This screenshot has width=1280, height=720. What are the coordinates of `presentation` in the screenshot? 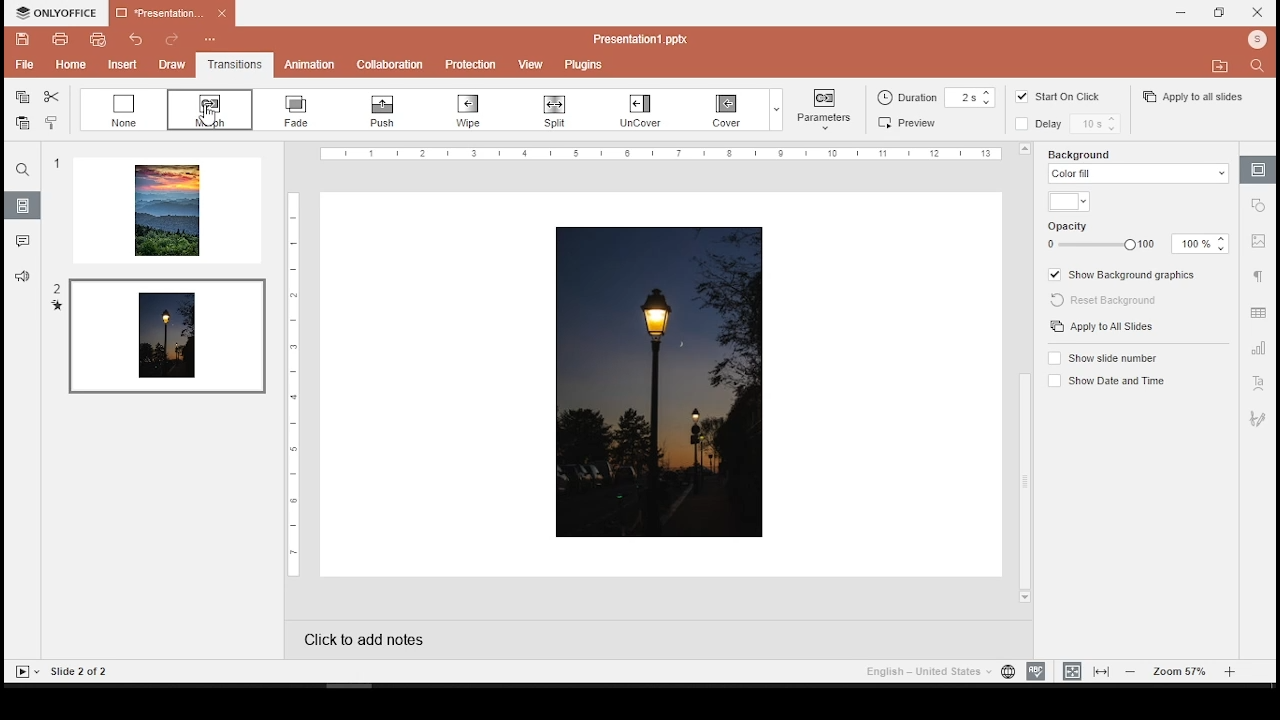 It's located at (173, 14).